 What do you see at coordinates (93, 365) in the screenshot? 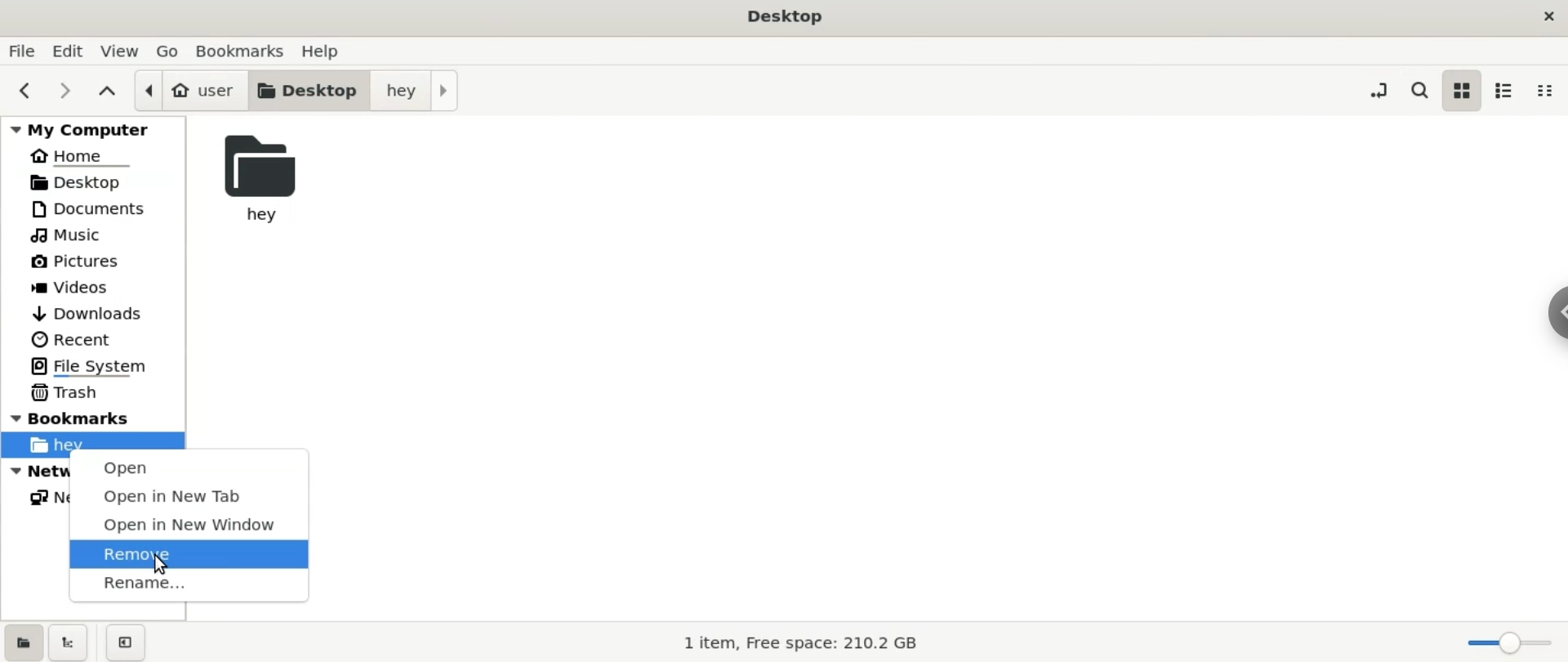
I see `file system` at bounding box center [93, 365].